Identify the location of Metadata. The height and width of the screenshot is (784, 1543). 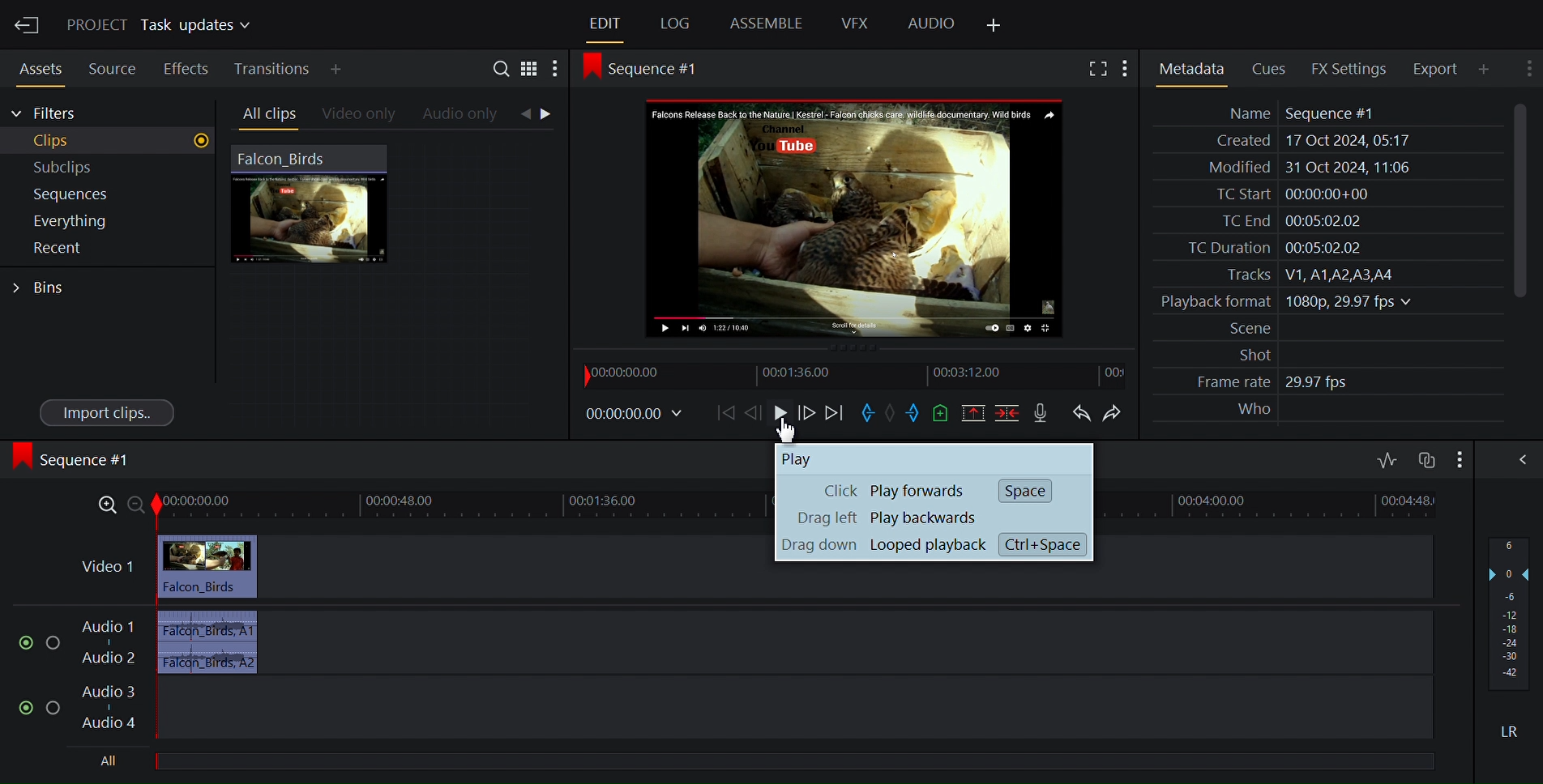
(1191, 66).